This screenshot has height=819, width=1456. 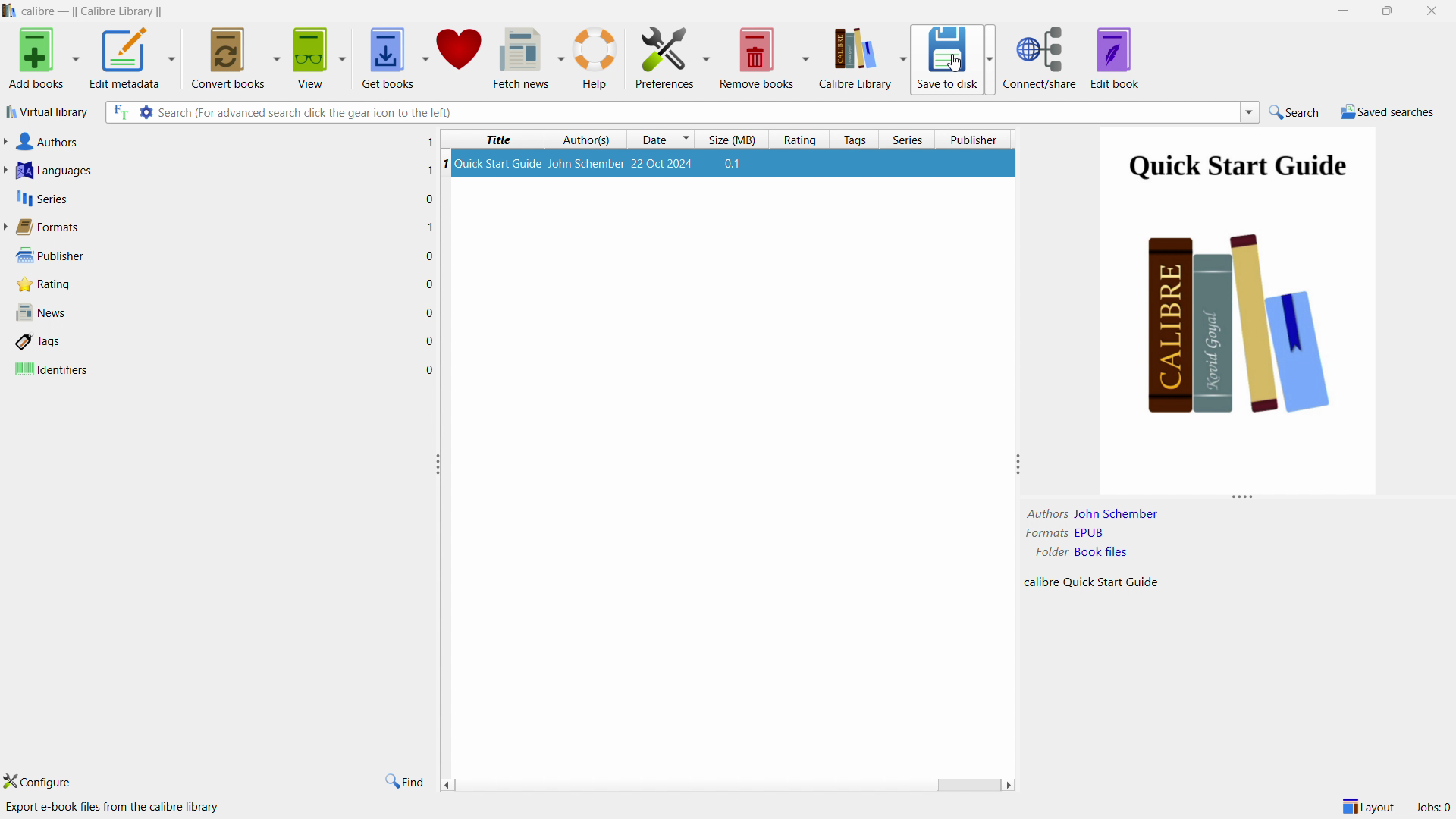 What do you see at coordinates (42, 227) in the screenshot?
I see `‘Formats` at bounding box center [42, 227].